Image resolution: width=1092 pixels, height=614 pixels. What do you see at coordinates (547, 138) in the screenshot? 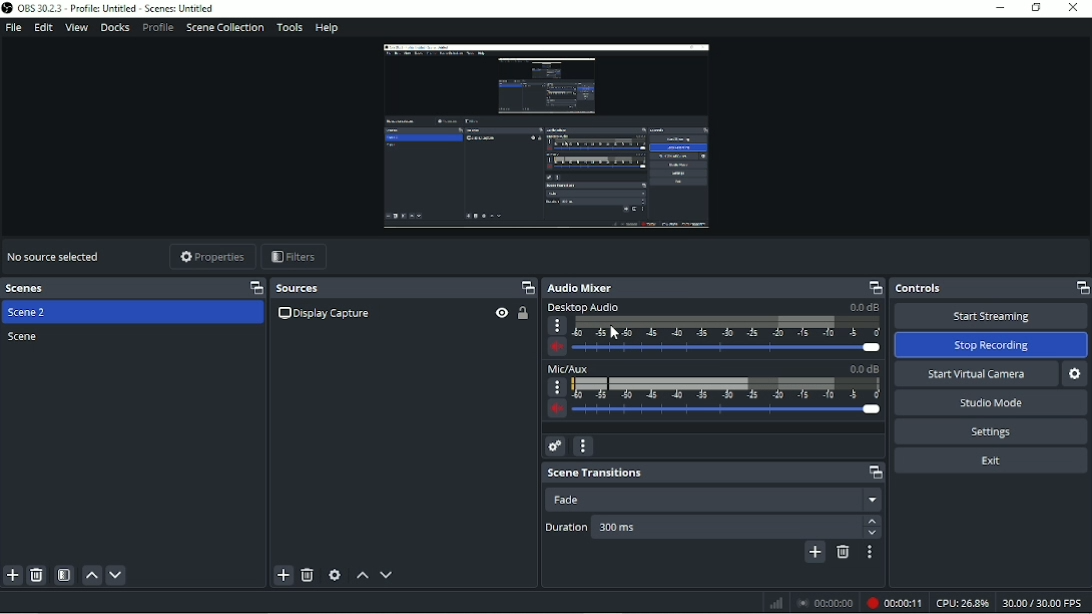
I see `Video` at bounding box center [547, 138].